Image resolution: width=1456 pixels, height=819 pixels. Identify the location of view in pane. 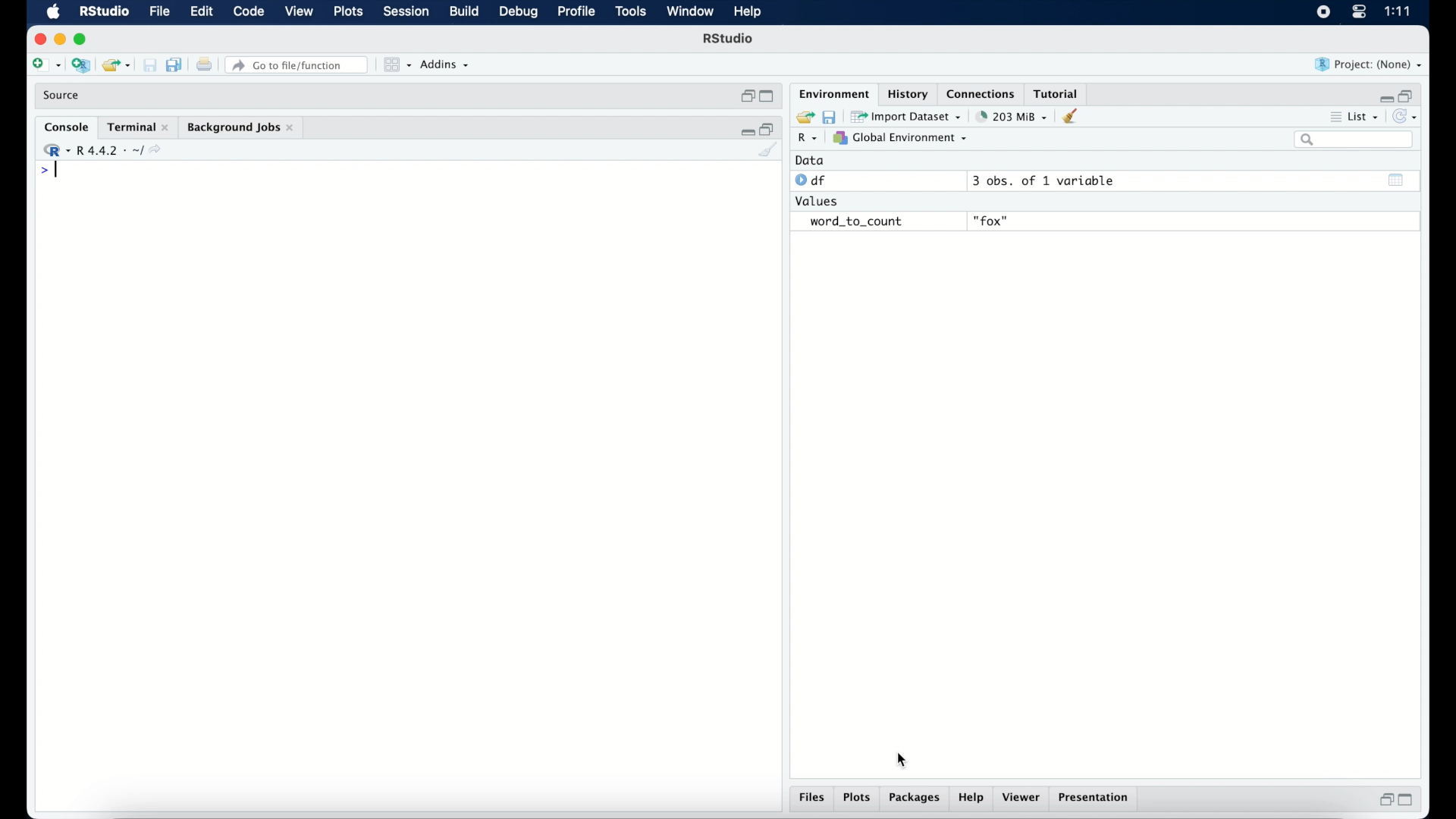
(396, 65).